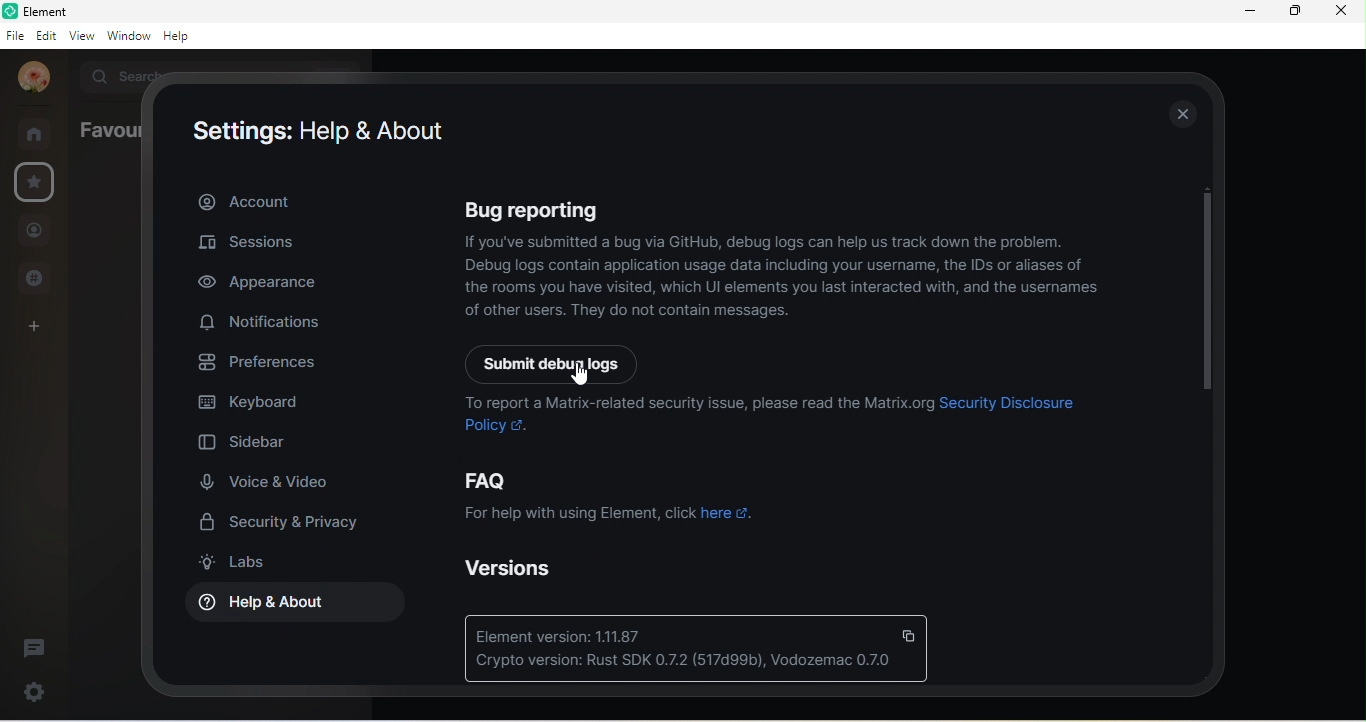  What do you see at coordinates (566, 636) in the screenshot?
I see `Element version: 1.11.87` at bounding box center [566, 636].